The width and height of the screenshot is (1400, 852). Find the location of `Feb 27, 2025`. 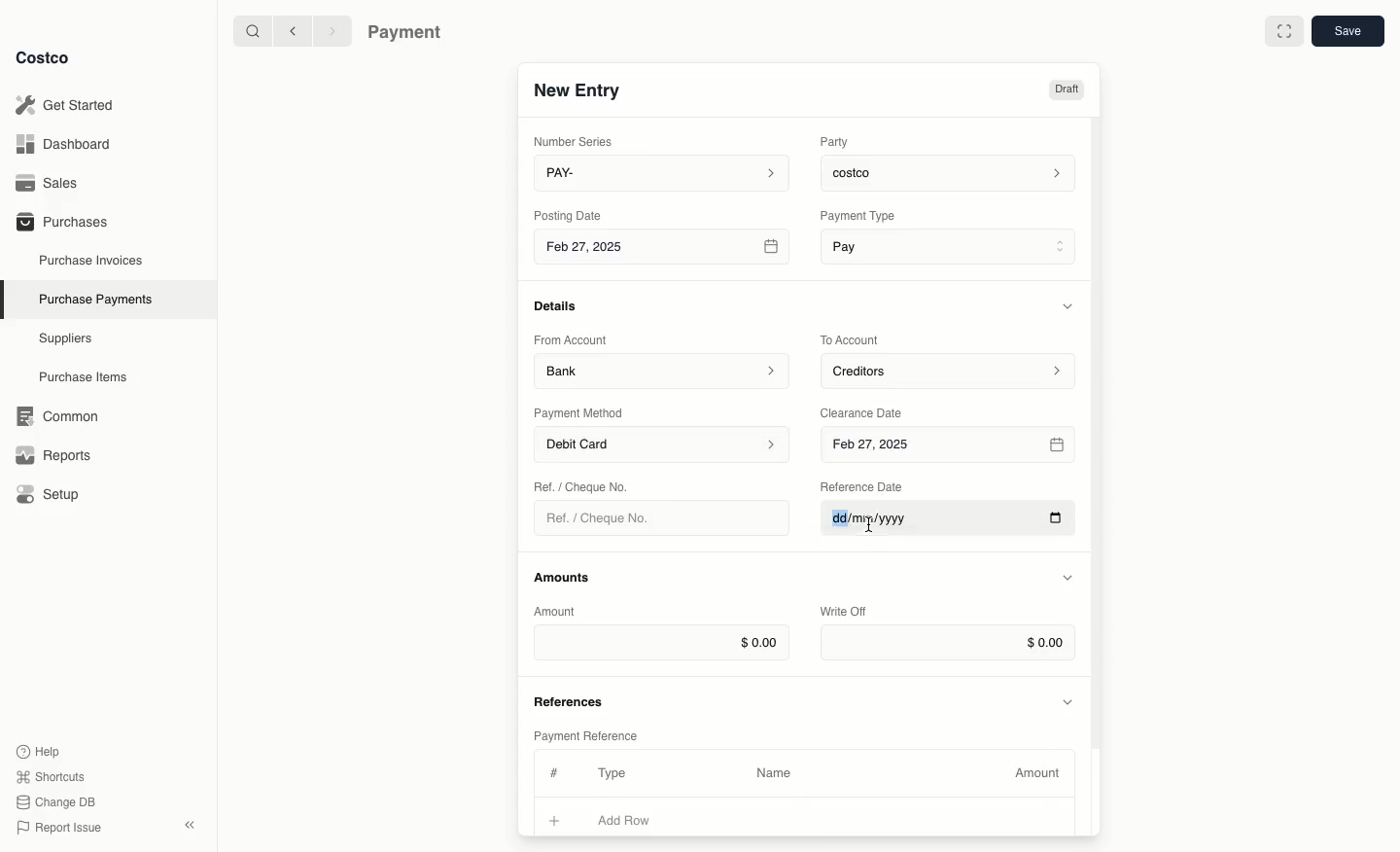

Feb 27, 2025 is located at coordinates (951, 445).